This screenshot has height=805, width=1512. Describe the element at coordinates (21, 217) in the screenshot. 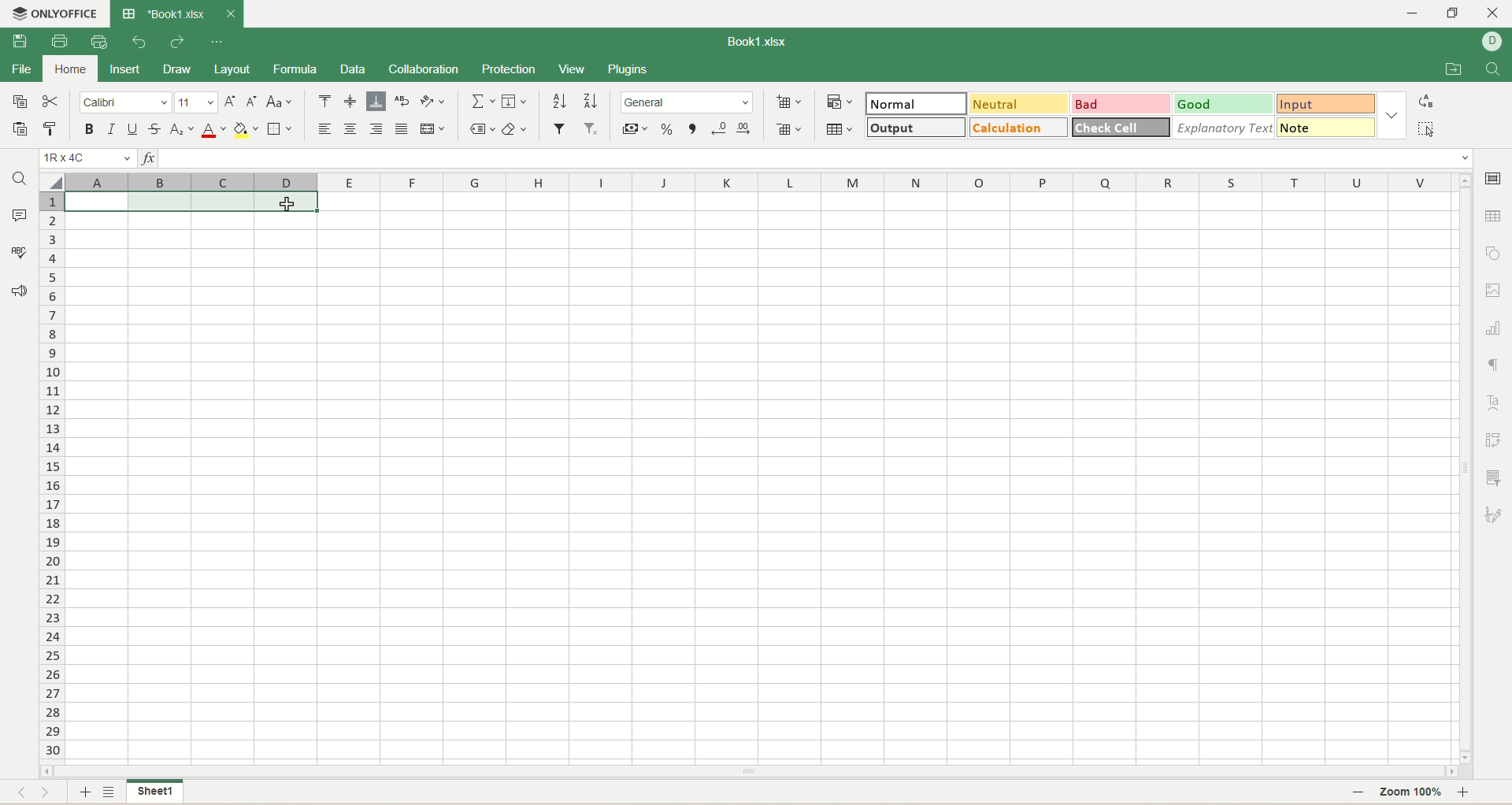

I see `comment` at that location.